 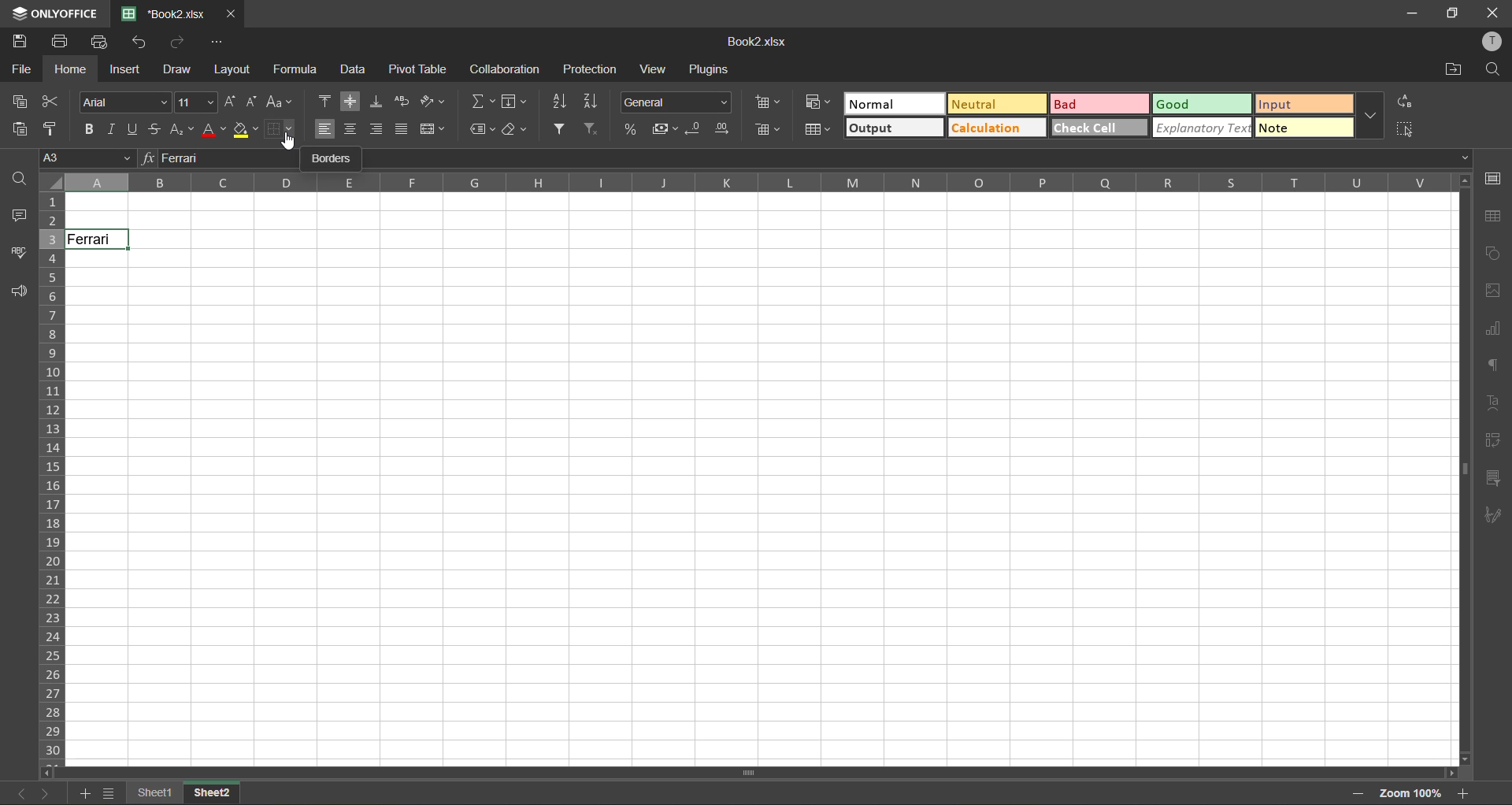 I want to click on save, so click(x=16, y=41).